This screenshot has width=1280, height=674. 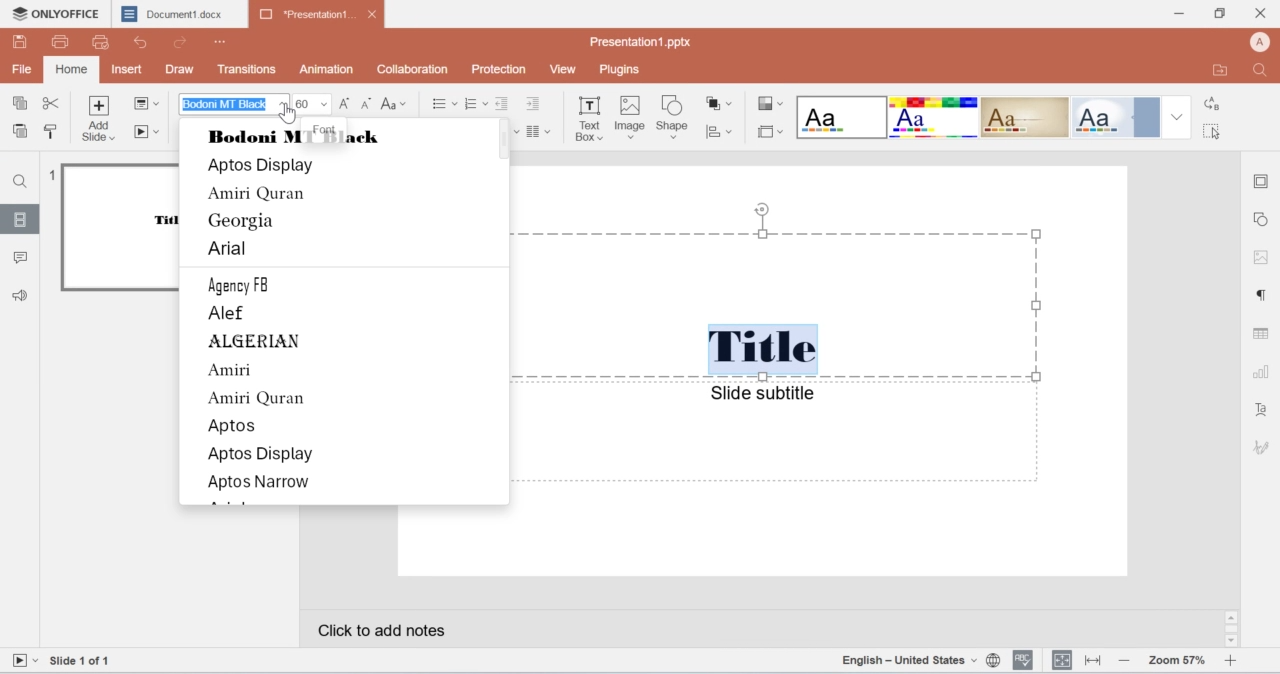 What do you see at coordinates (539, 132) in the screenshot?
I see `paragraph` at bounding box center [539, 132].